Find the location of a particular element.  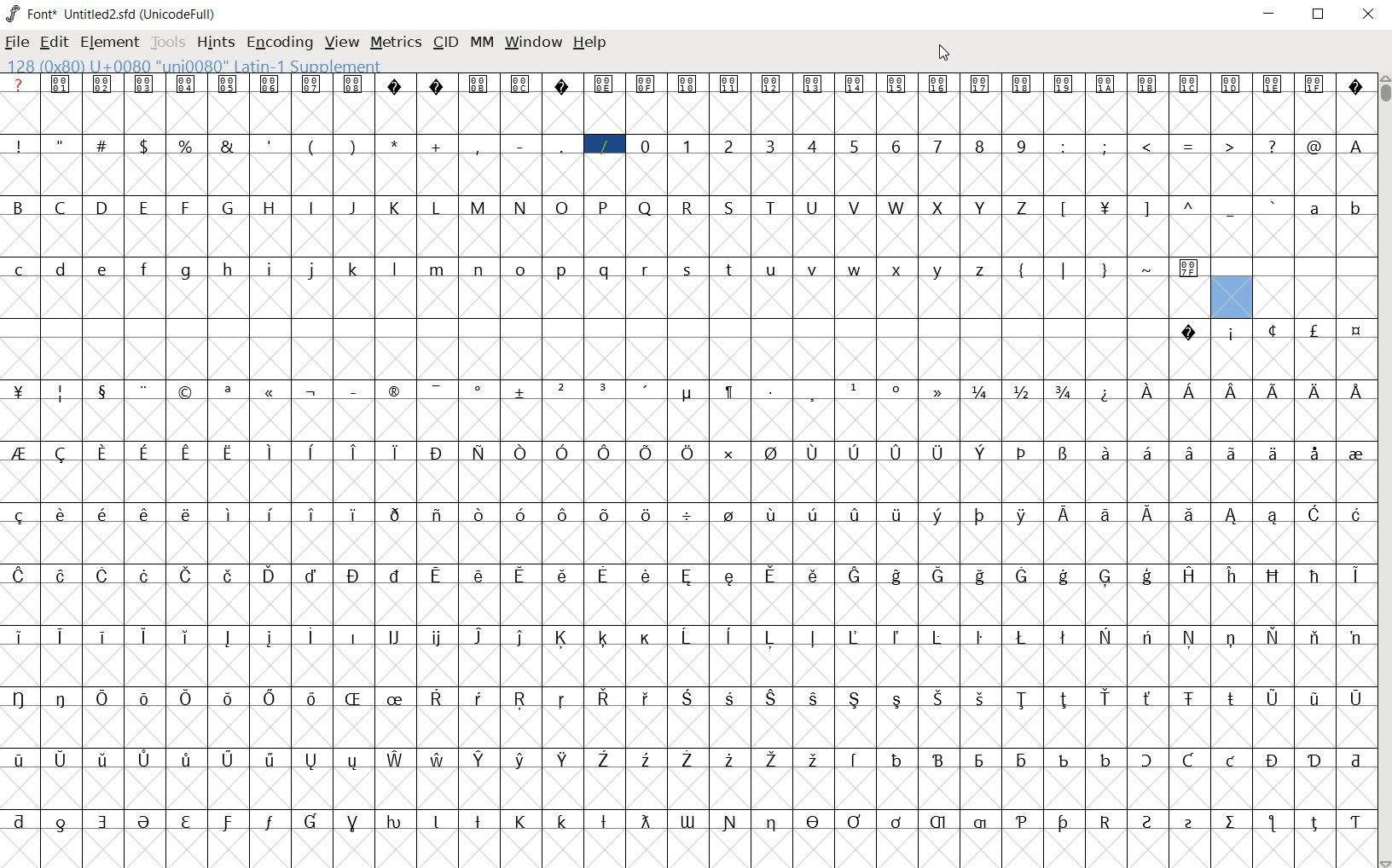

glyph is located at coordinates (980, 823).